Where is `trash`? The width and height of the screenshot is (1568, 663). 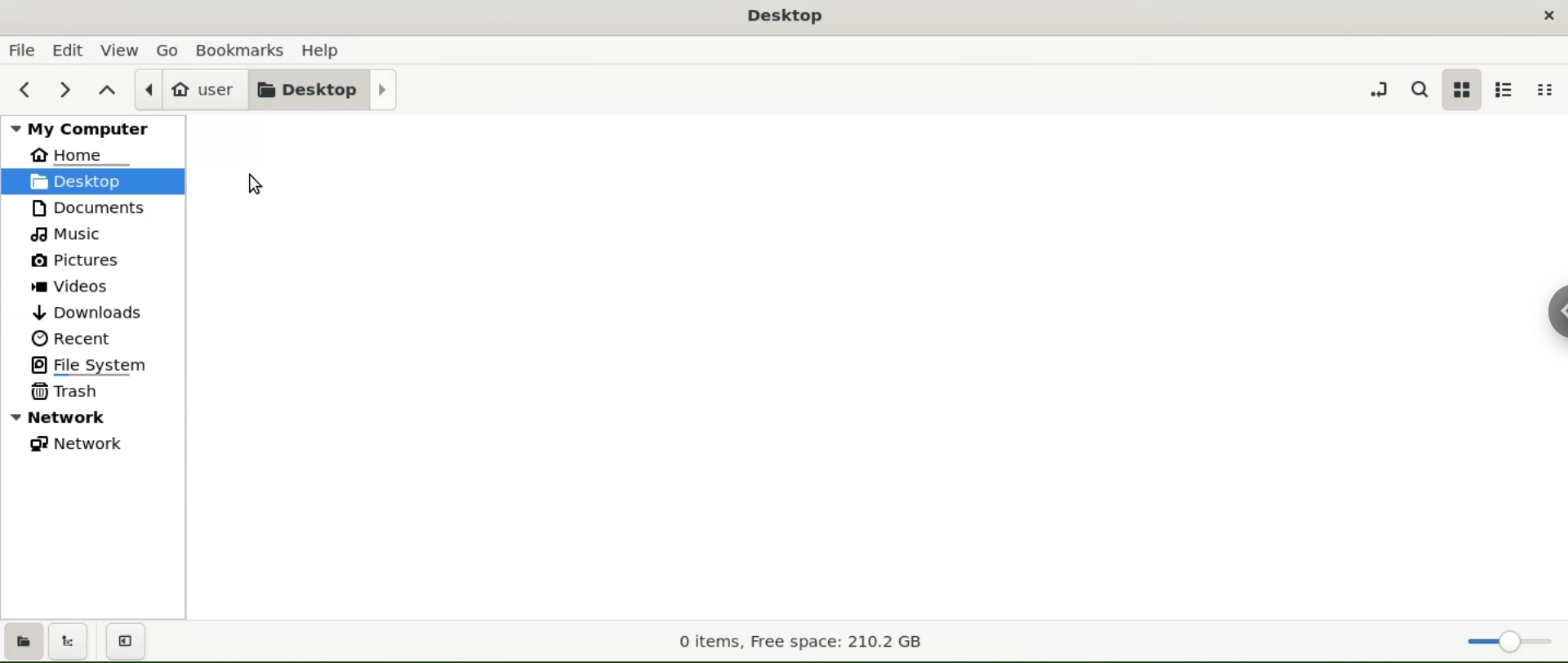
trash is located at coordinates (91, 394).